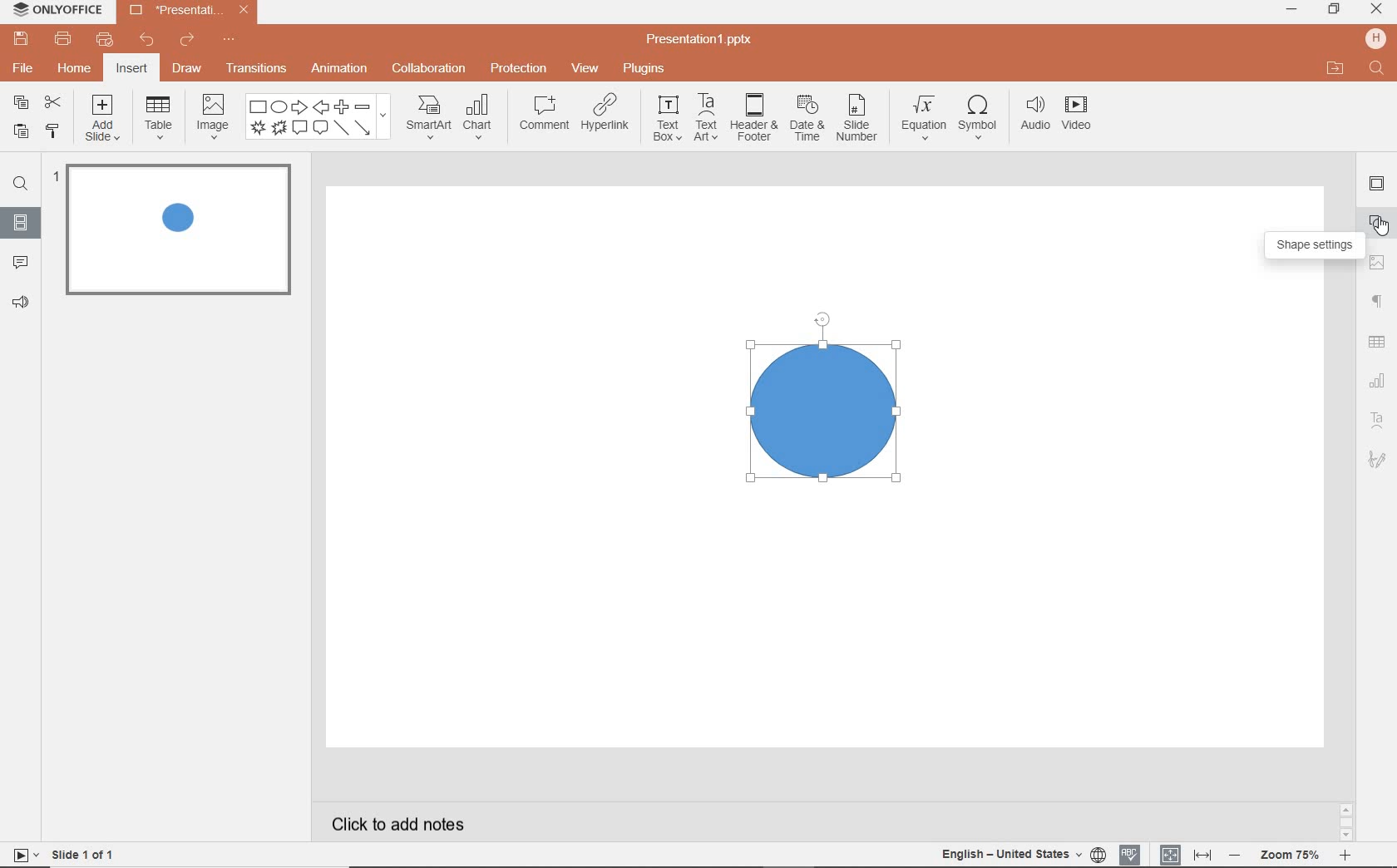 The image size is (1397, 868). What do you see at coordinates (1293, 9) in the screenshot?
I see `minimize` at bounding box center [1293, 9].